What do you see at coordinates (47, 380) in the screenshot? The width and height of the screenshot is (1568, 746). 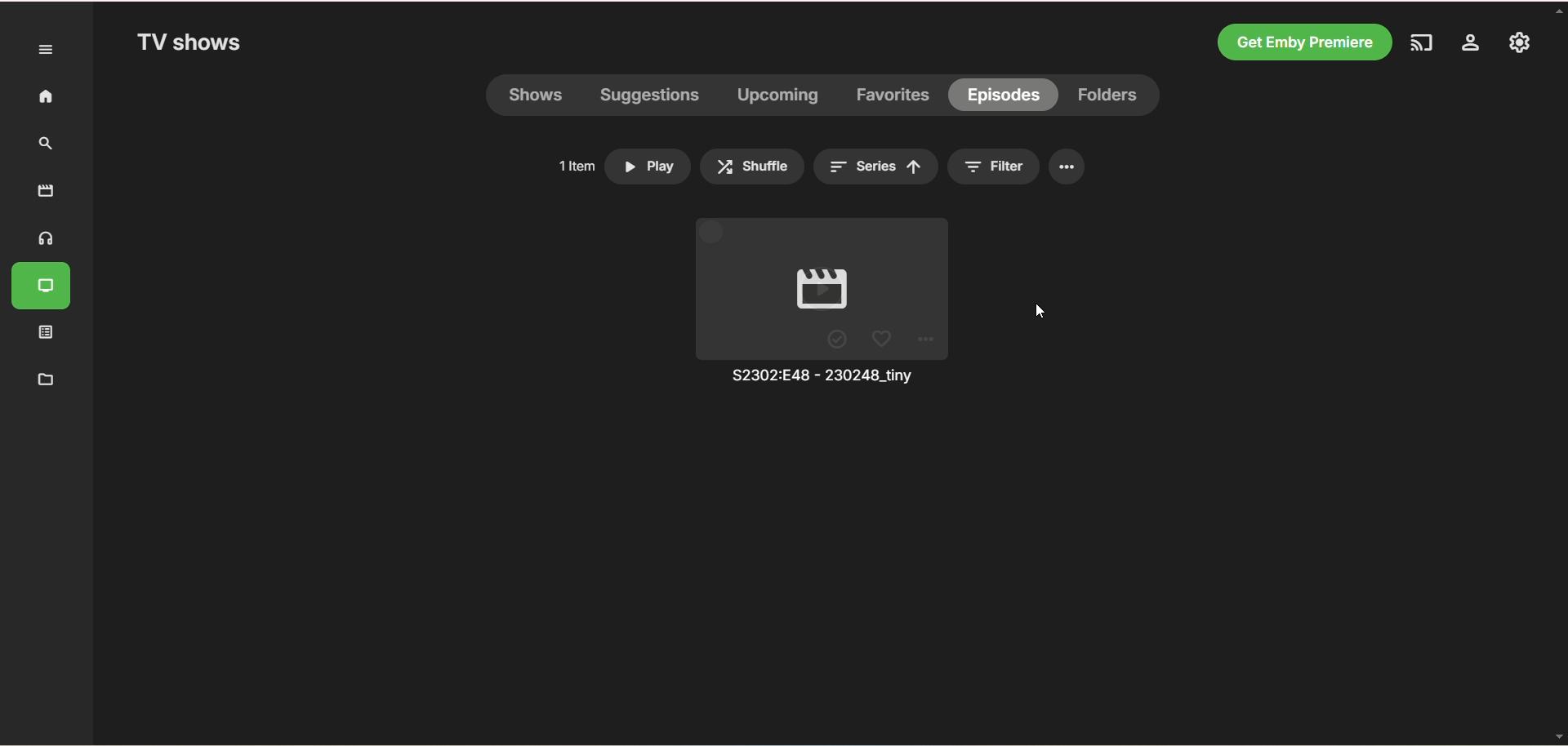 I see `manage metadata` at bounding box center [47, 380].